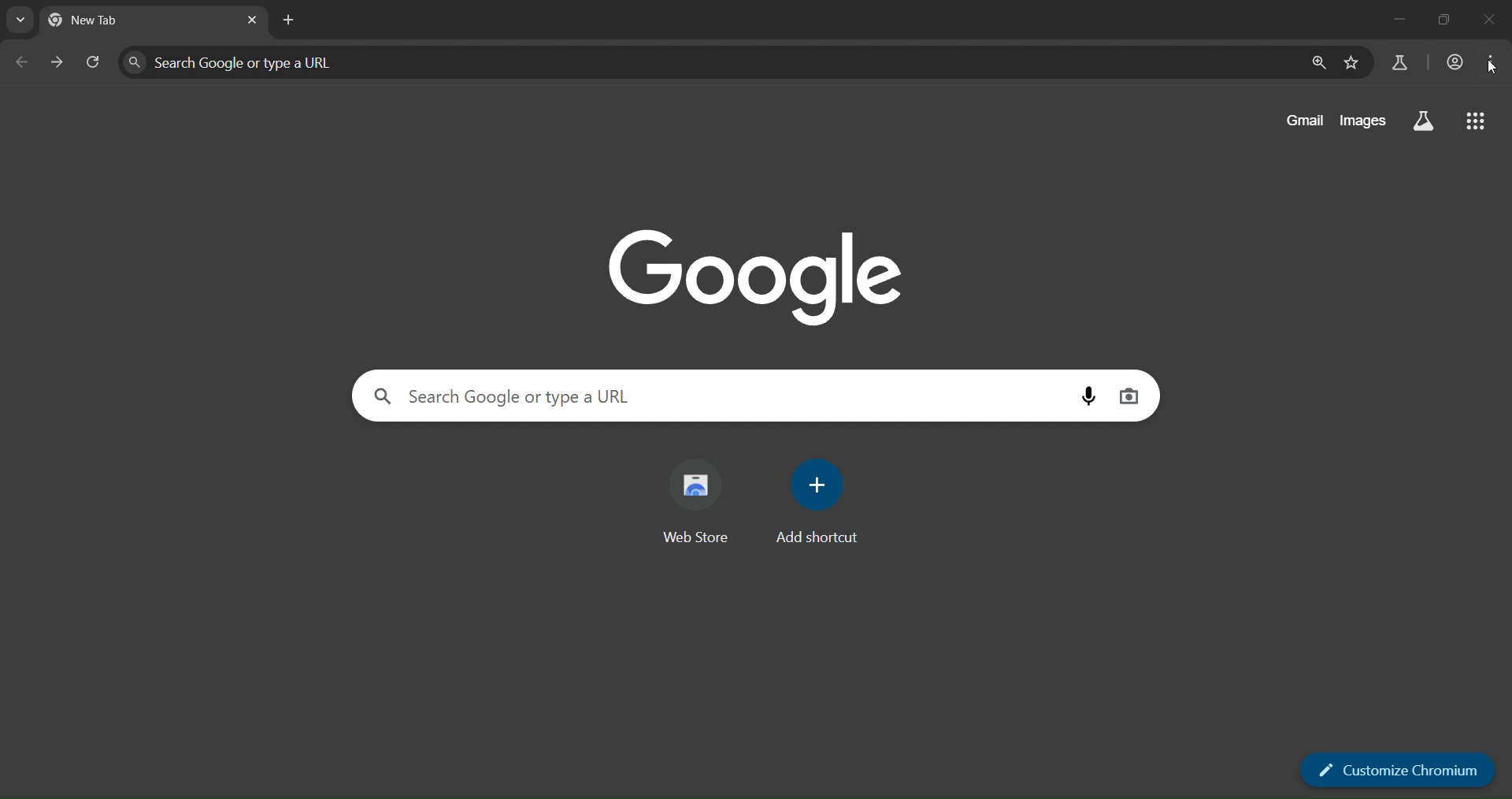  What do you see at coordinates (1495, 66) in the screenshot?
I see `menu` at bounding box center [1495, 66].